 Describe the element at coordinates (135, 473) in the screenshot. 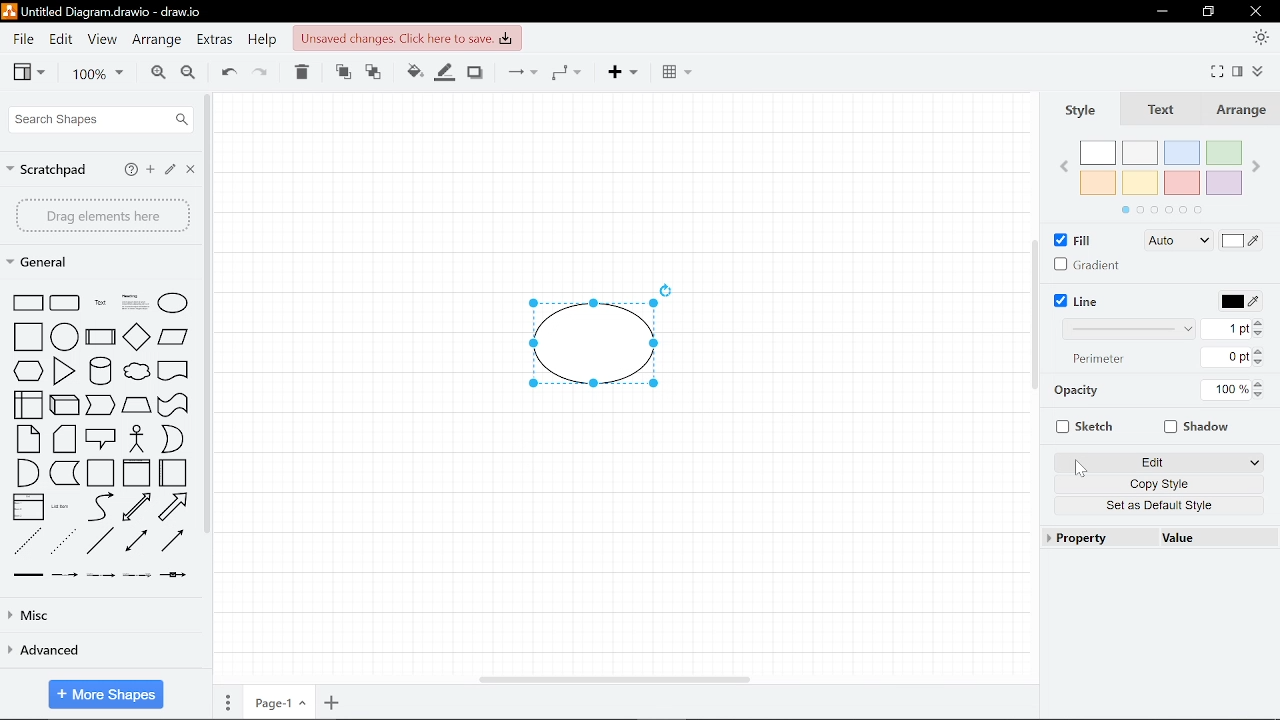

I see `vertical container` at that location.